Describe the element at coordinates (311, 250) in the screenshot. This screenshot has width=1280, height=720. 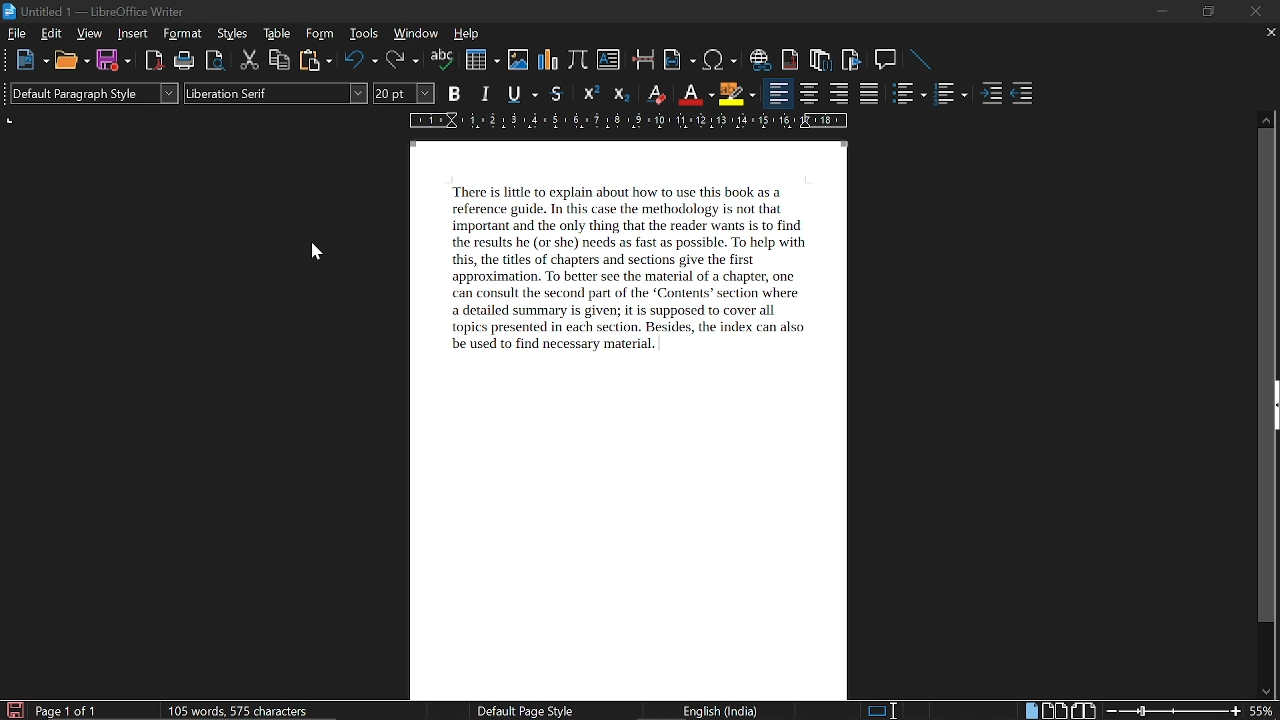
I see `cursor` at that location.